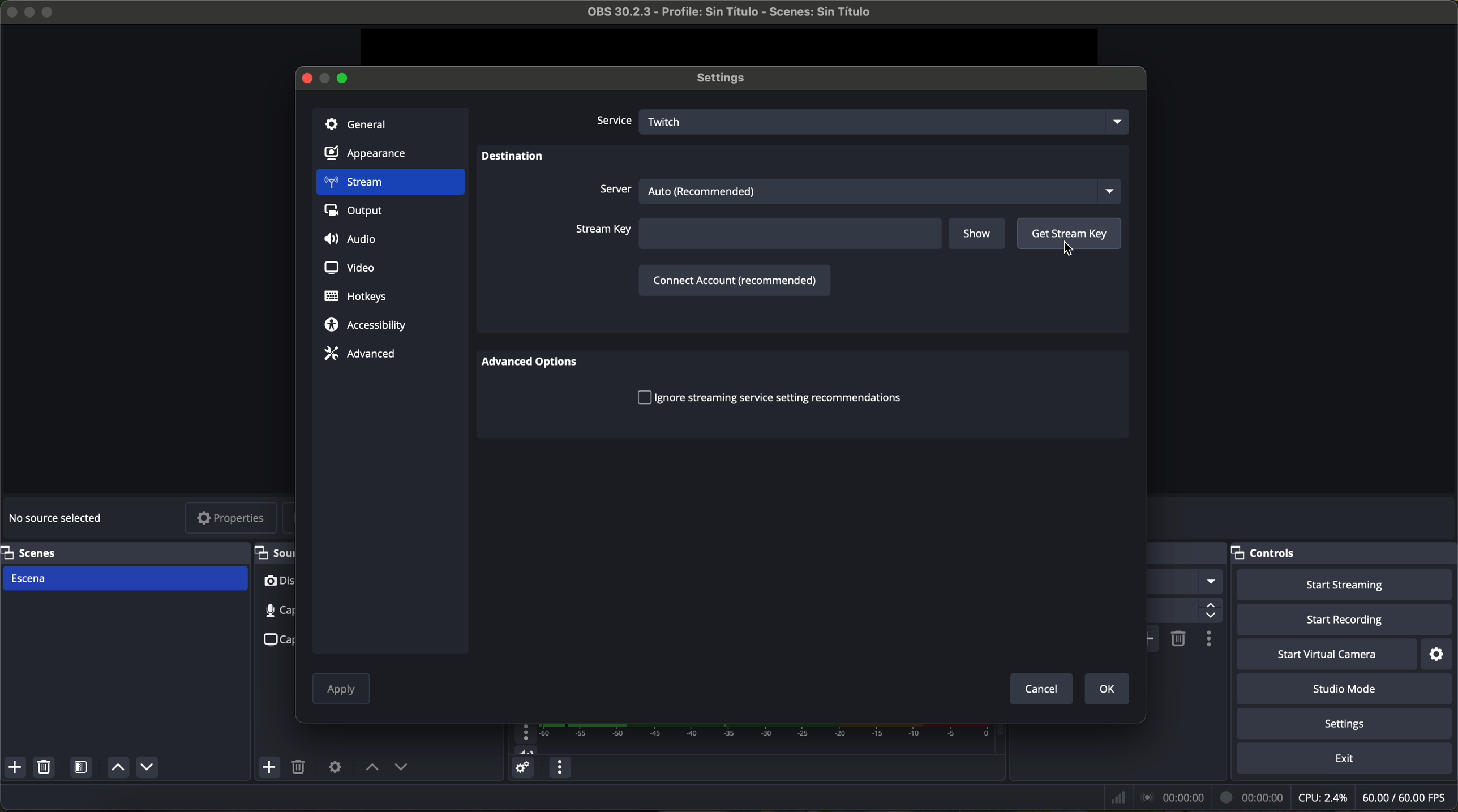 The width and height of the screenshot is (1458, 812). I want to click on settings, so click(726, 79).